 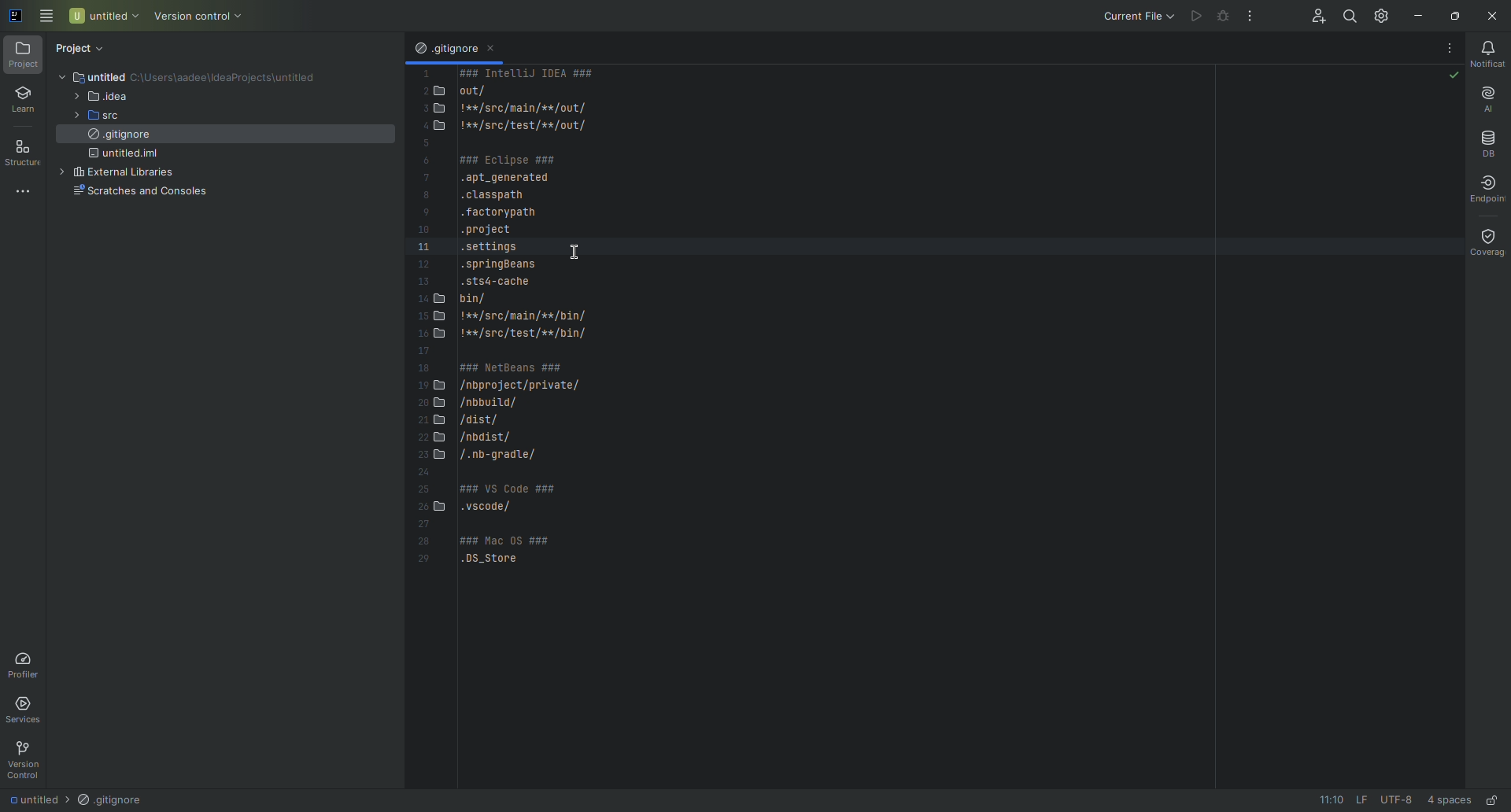 I want to click on untitled, so click(x=120, y=76).